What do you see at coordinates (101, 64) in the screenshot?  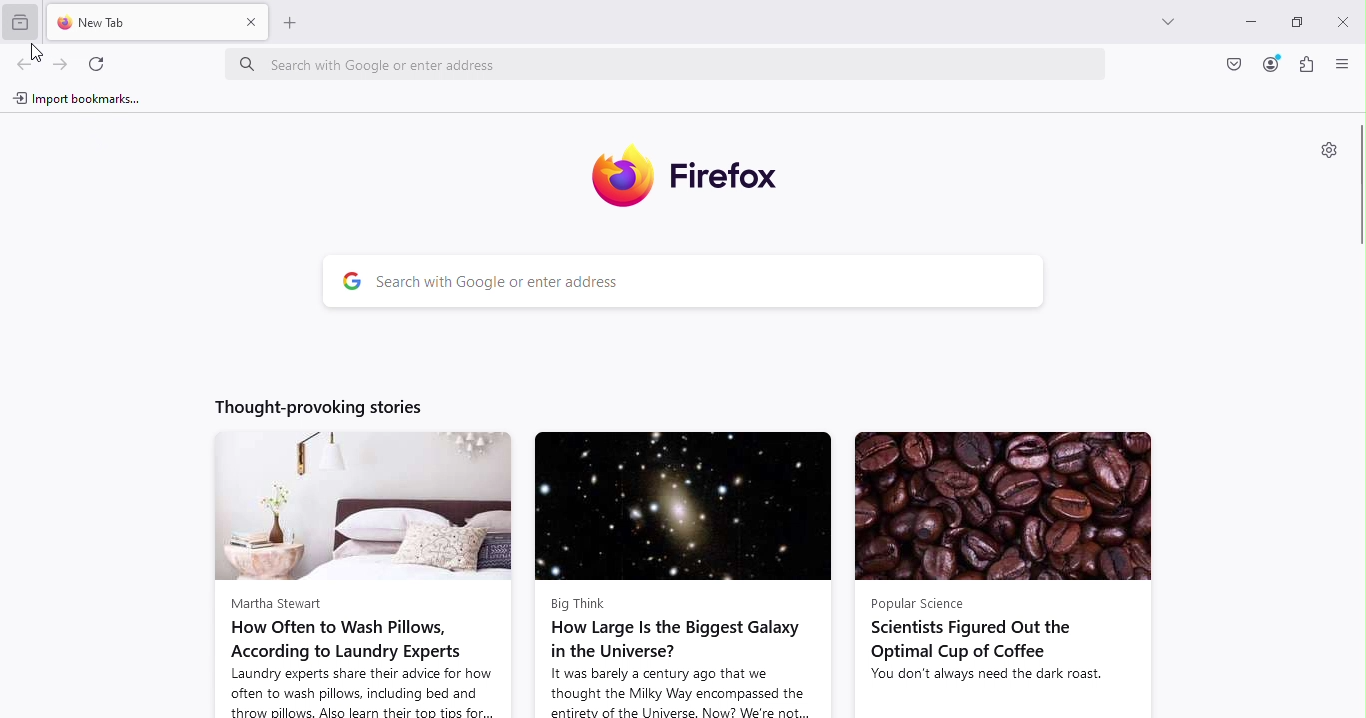 I see `Reload the current tab` at bounding box center [101, 64].